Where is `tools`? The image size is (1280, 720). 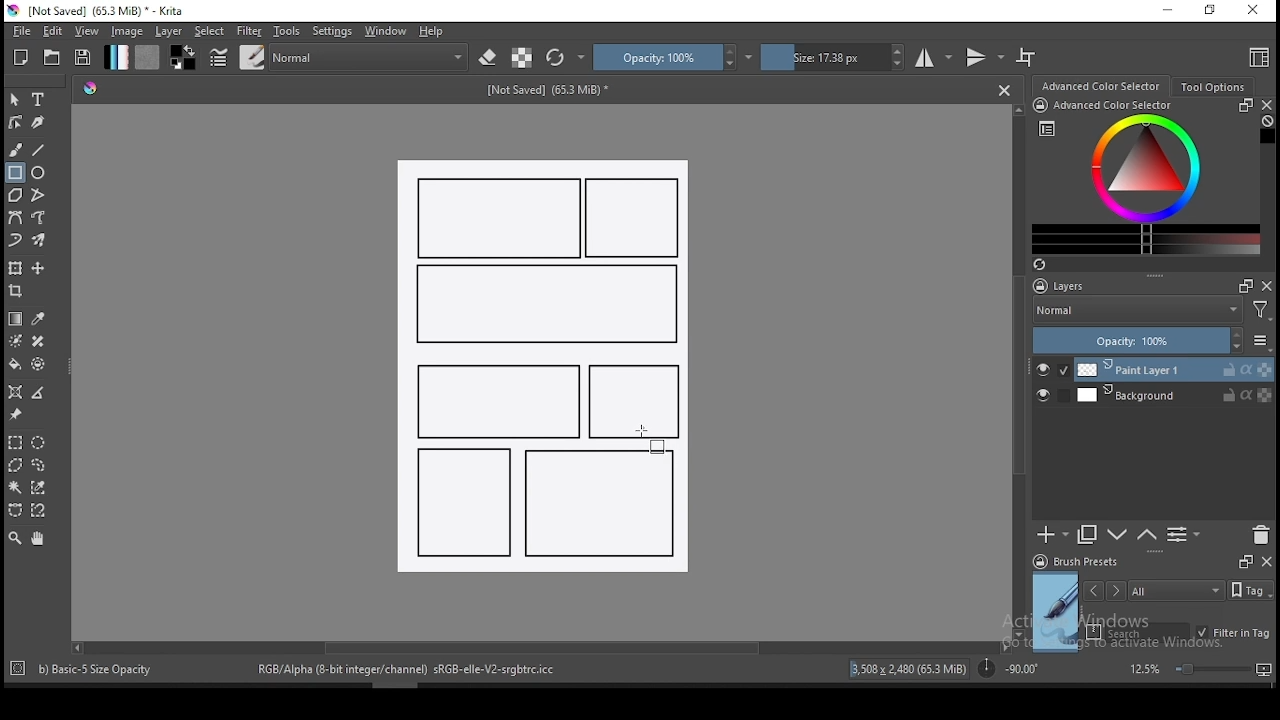 tools is located at coordinates (287, 31).